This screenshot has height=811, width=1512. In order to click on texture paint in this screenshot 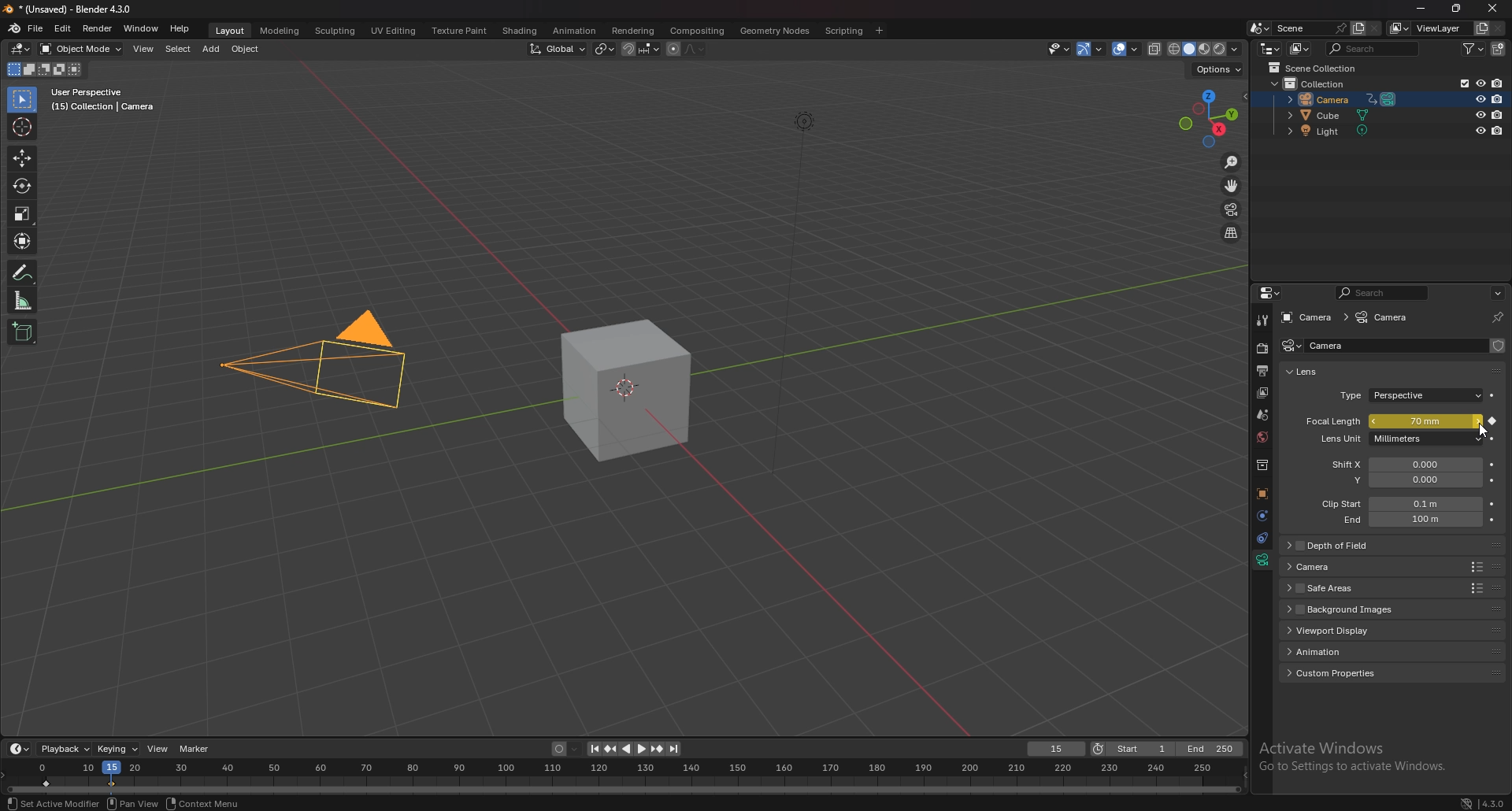, I will do `click(460, 31)`.